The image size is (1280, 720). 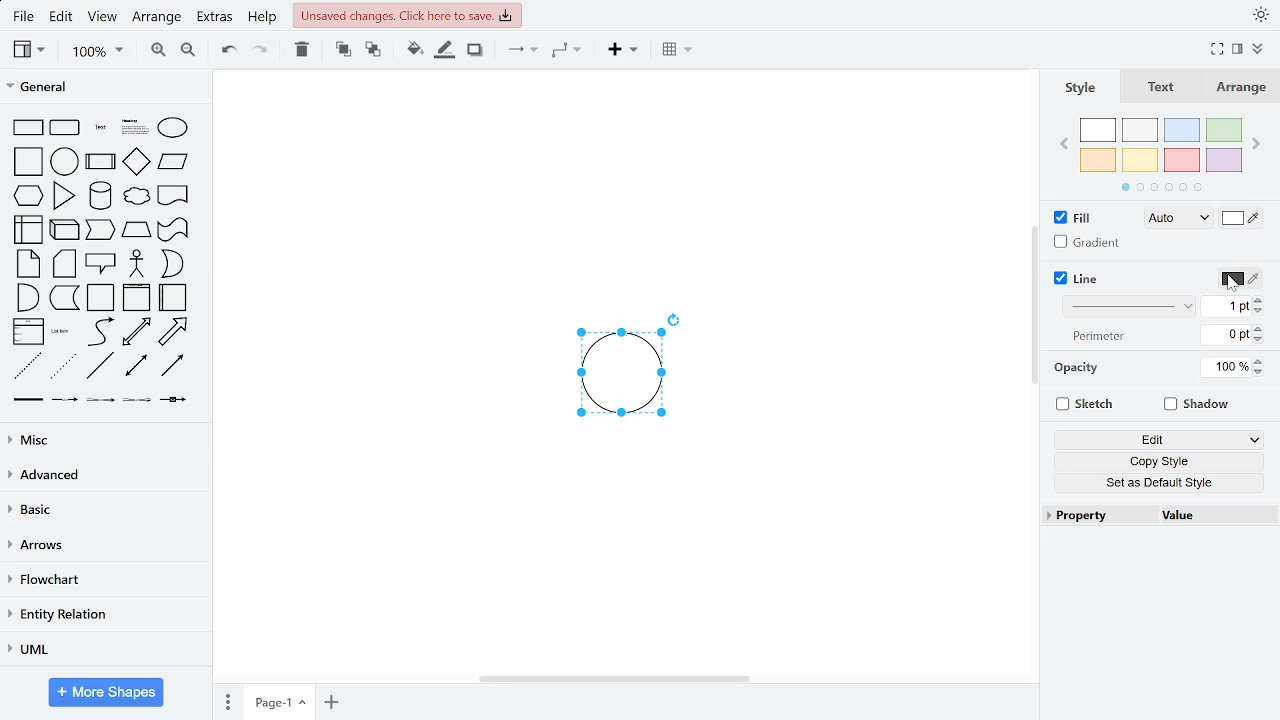 I want to click on dashed line, so click(x=29, y=366).